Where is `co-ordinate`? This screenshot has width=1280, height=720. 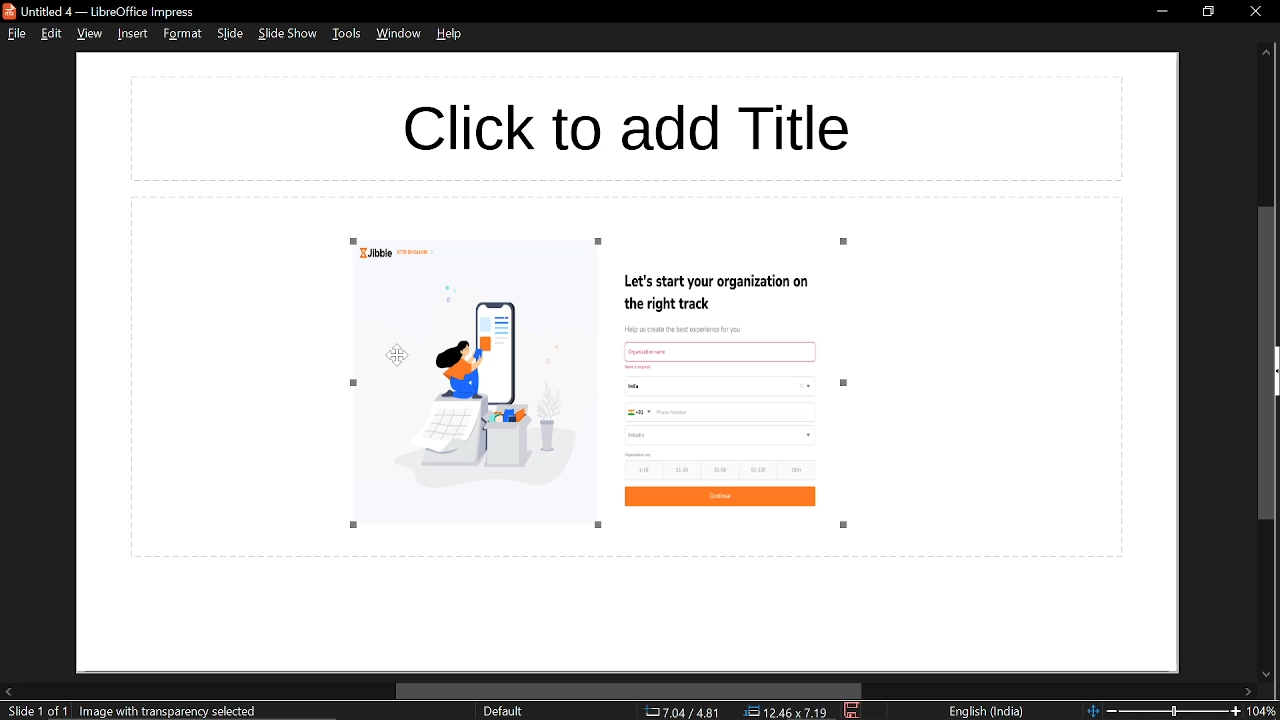 co-ordinate is located at coordinates (682, 712).